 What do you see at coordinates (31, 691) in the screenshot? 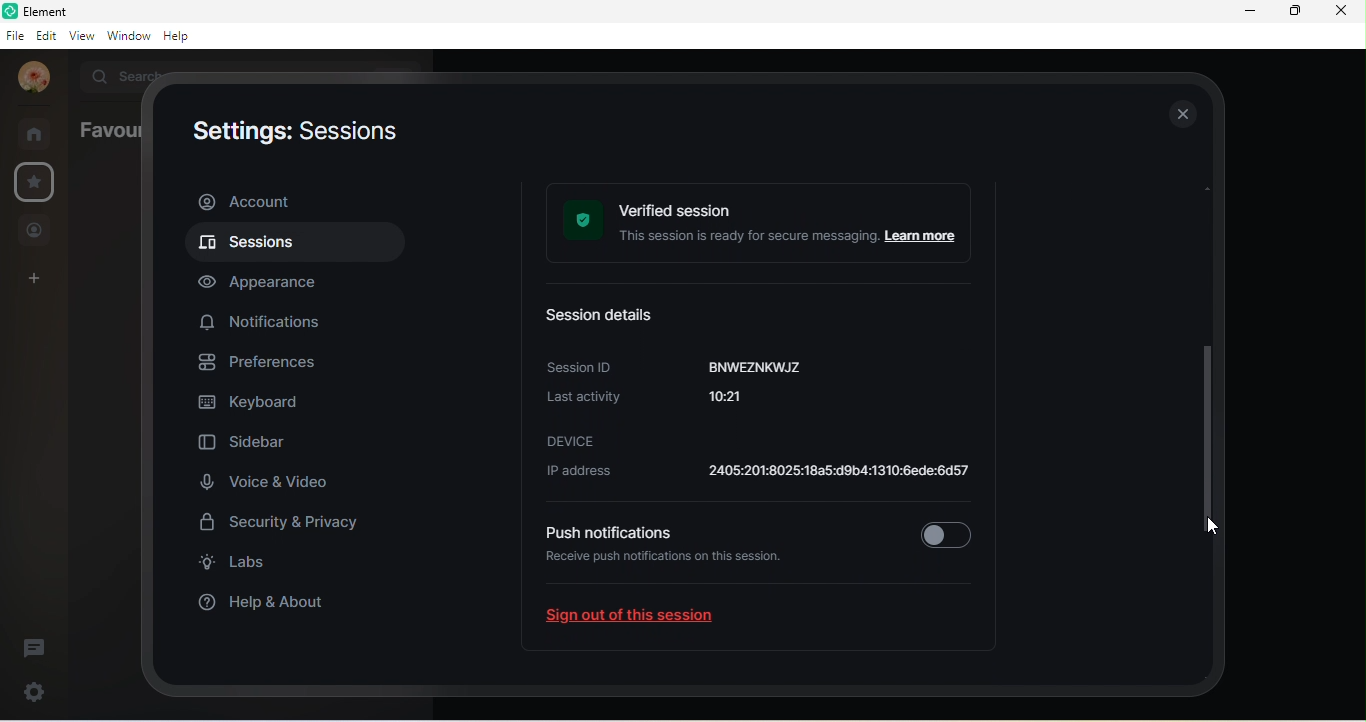
I see `settings` at bounding box center [31, 691].